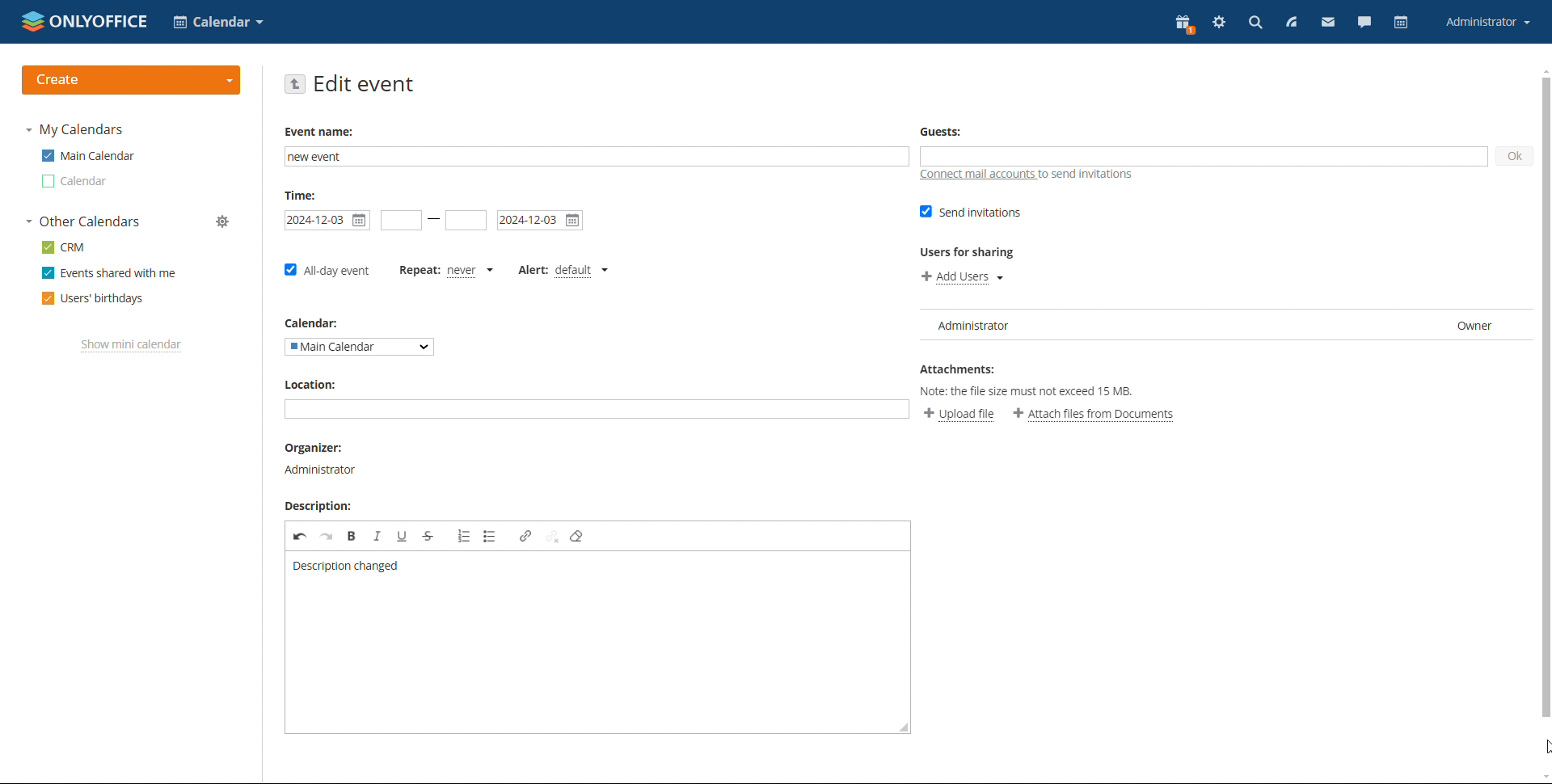 The height and width of the screenshot is (784, 1552). I want to click on ok, so click(1514, 158).